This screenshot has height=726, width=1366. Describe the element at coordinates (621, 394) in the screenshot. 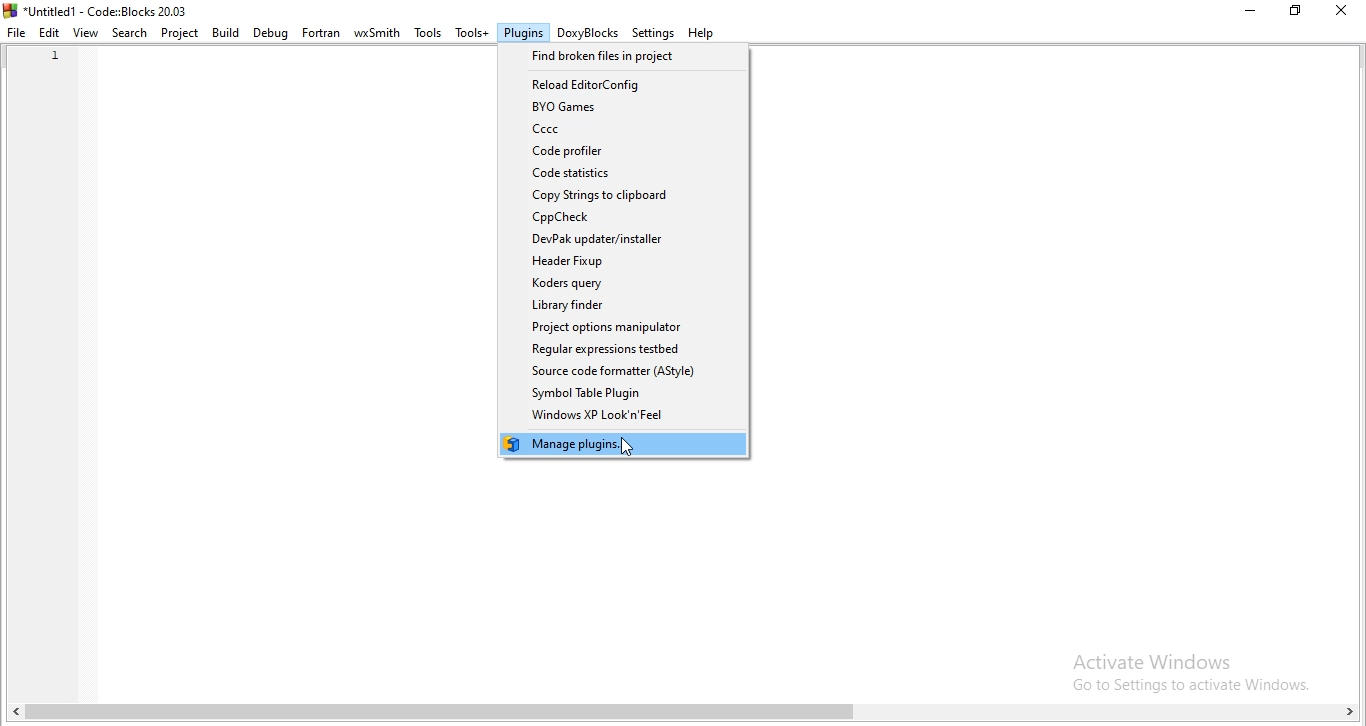

I see `Symbol Table Plugin` at that location.